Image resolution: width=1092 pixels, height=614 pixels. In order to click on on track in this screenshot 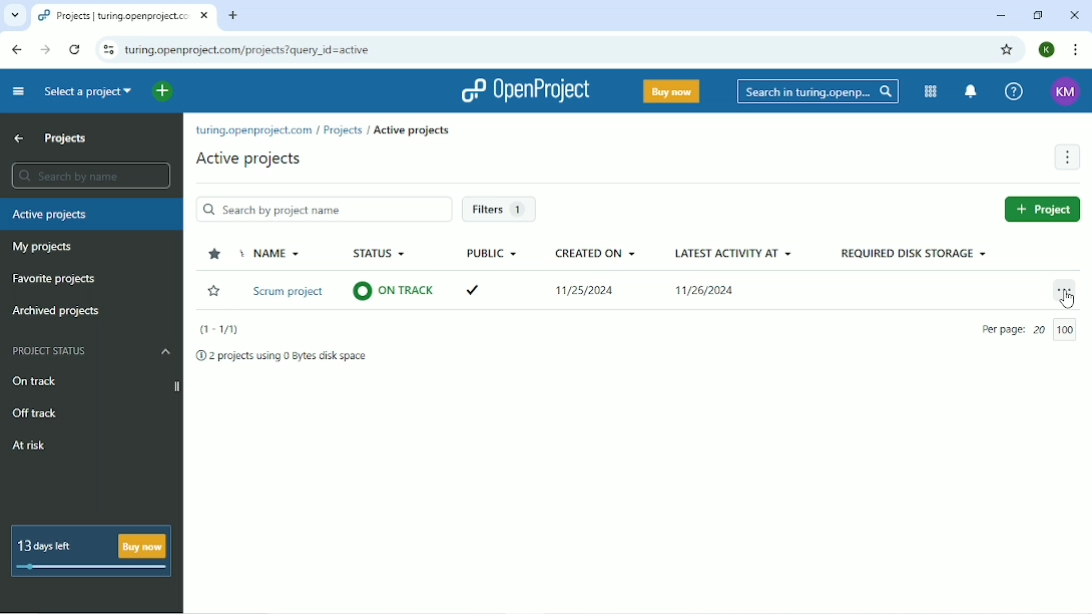, I will do `click(394, 289)`.